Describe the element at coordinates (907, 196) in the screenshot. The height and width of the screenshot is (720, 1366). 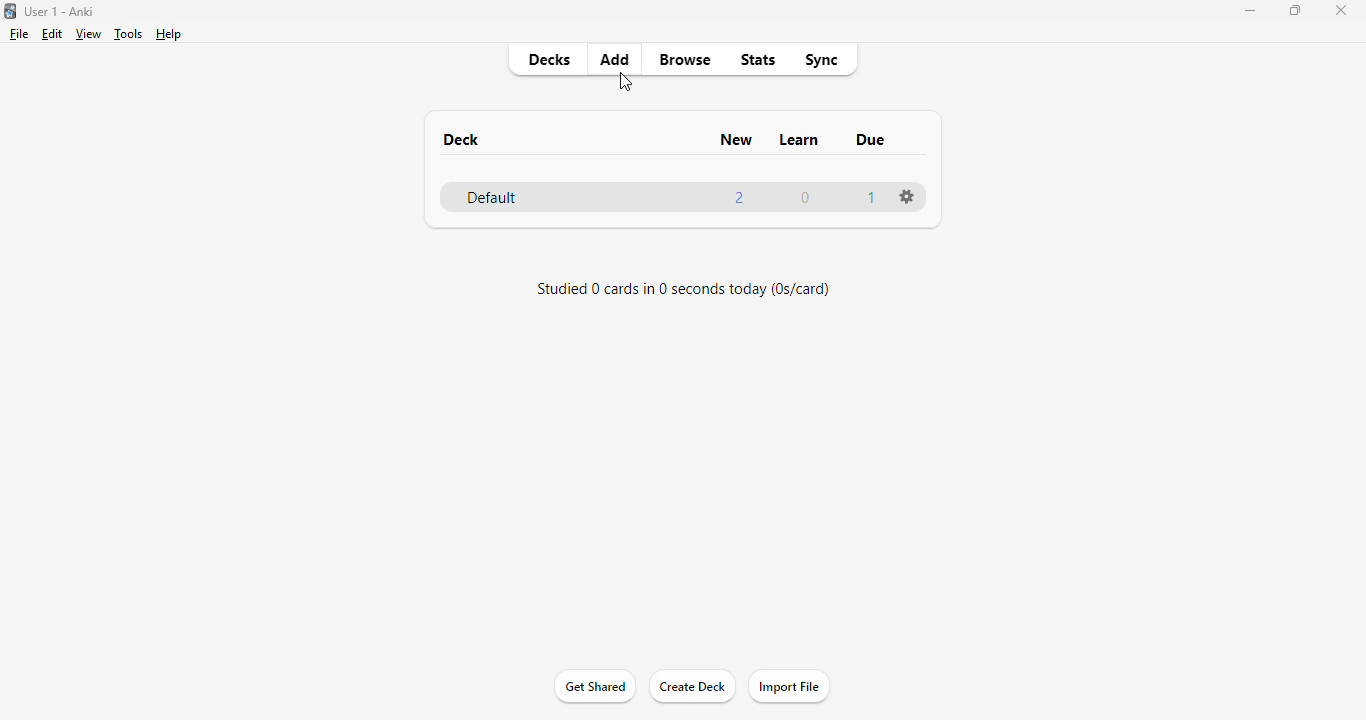
I see `options` at that location.